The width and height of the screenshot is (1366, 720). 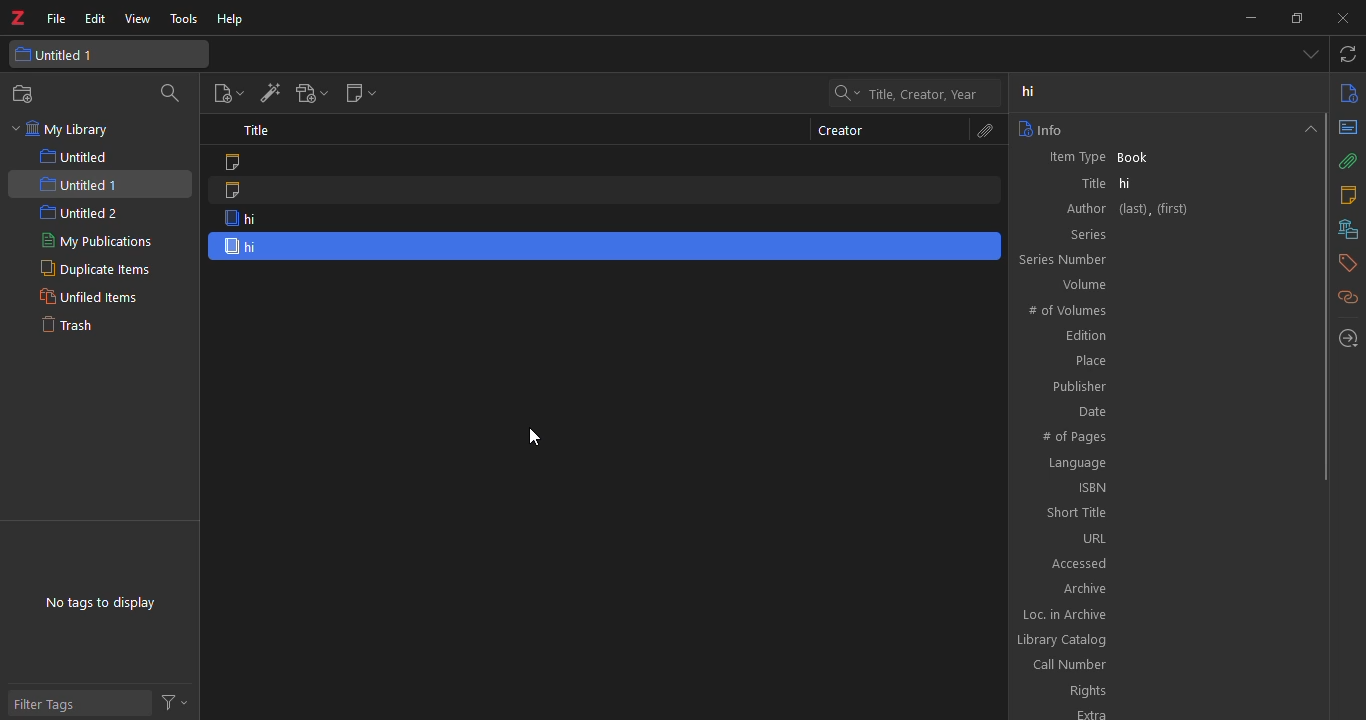 I want to click on extra, so click(x=1090, y=713).